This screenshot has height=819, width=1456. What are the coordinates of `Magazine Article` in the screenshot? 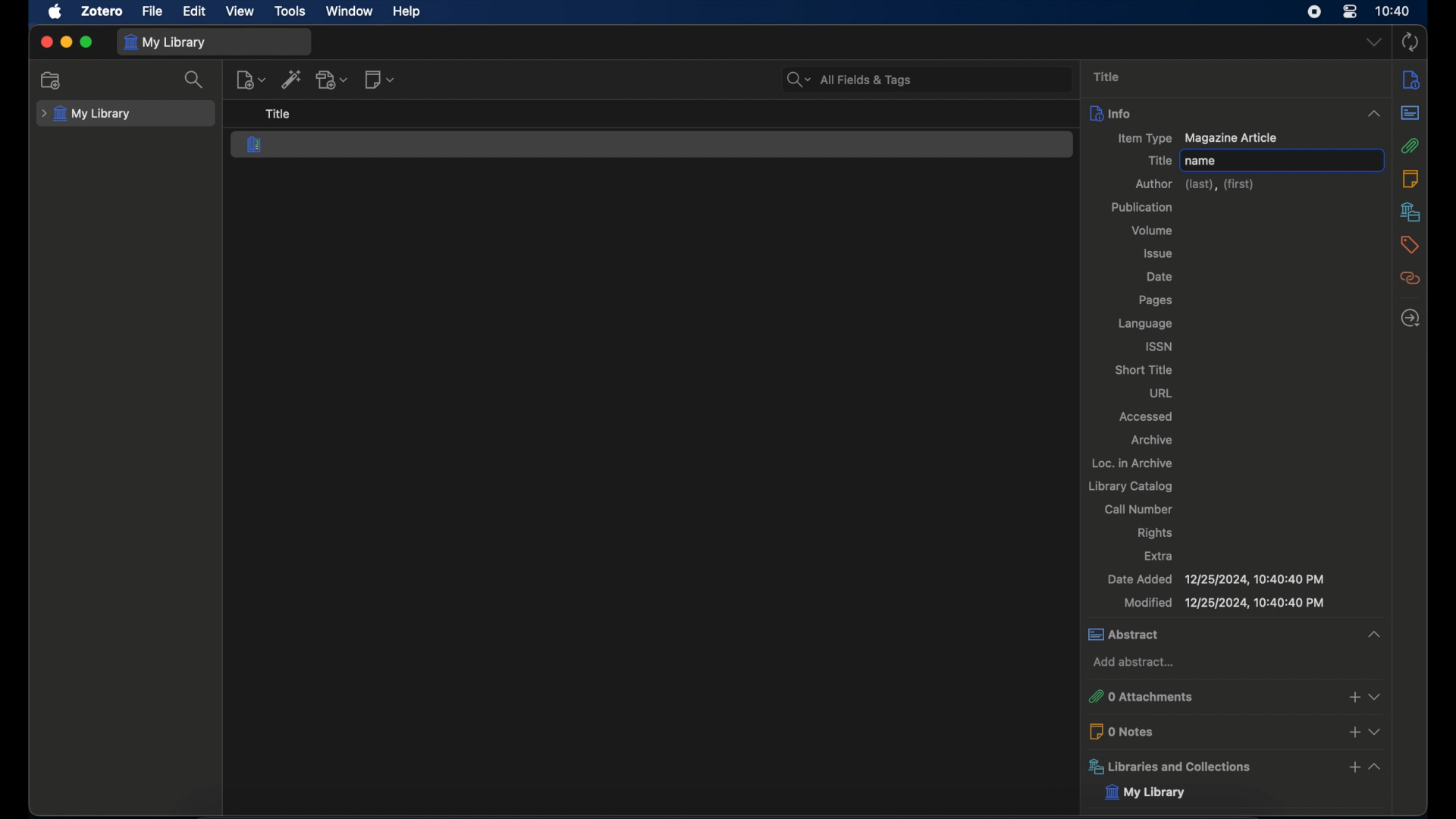 It's located at (1232, 138).